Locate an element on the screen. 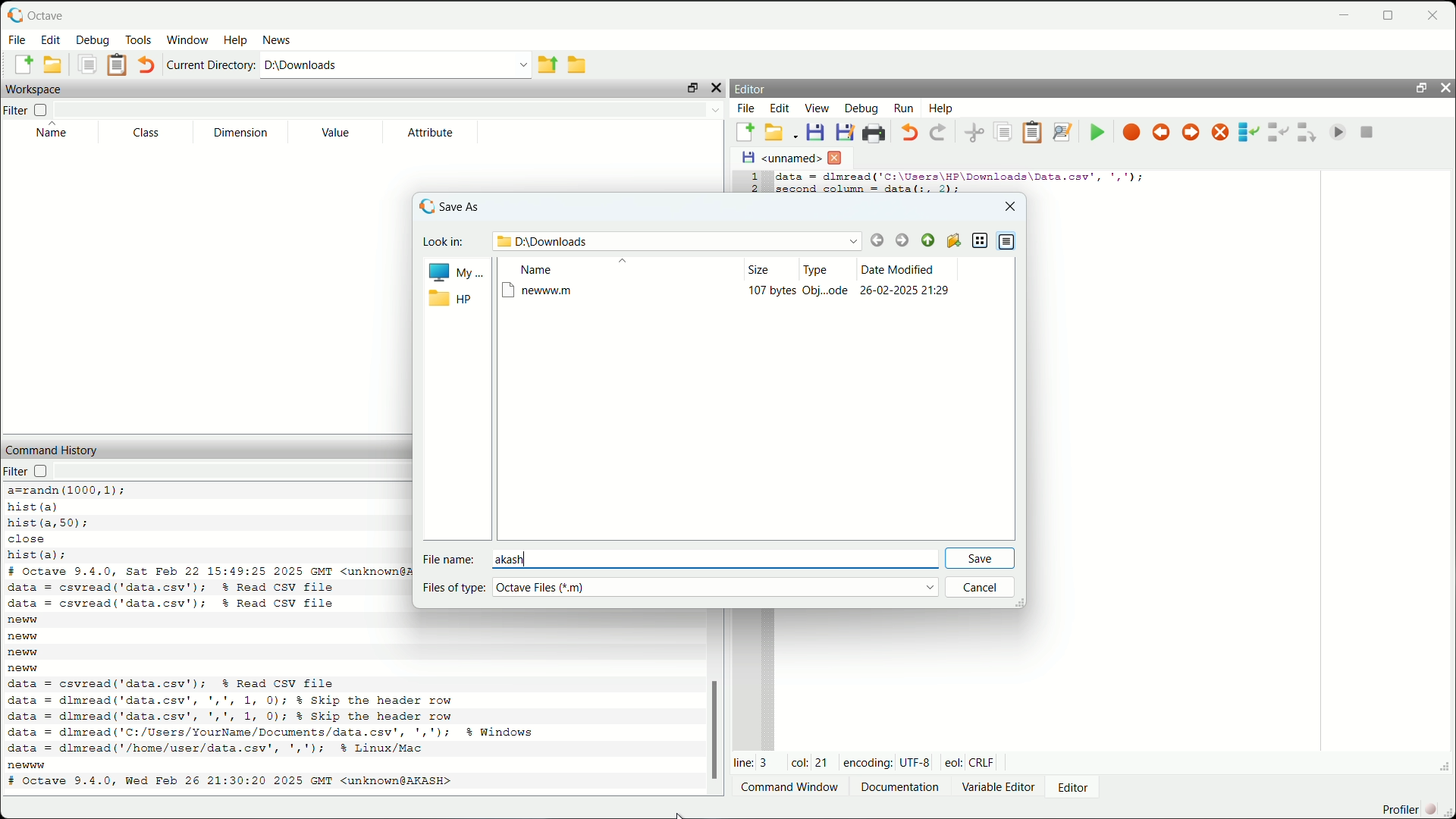 This screenshot has width=1456, height=819. current directory is located at coordinates (211, 66).